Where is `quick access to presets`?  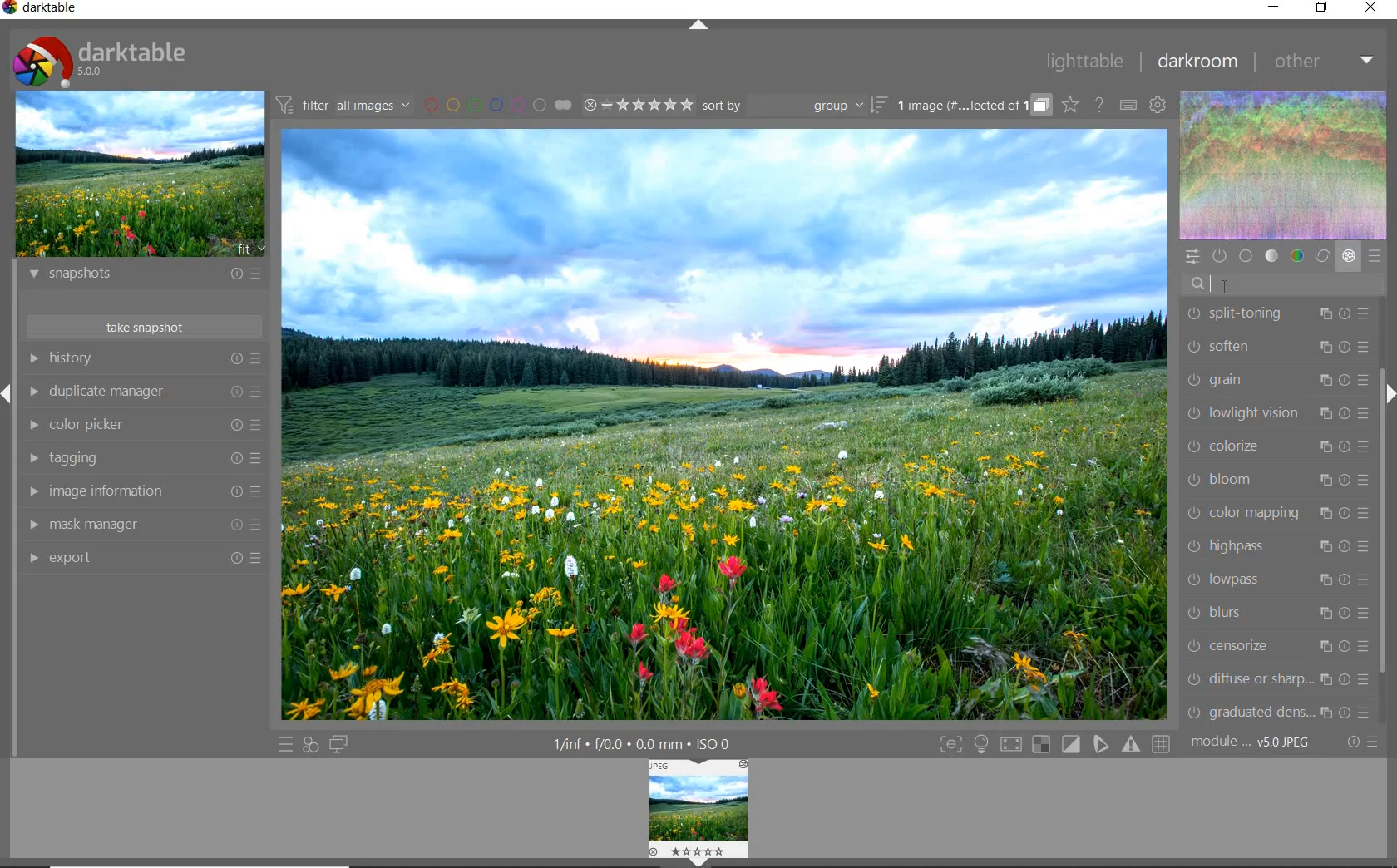 quick access to presets is located at coordinates (287, 745).